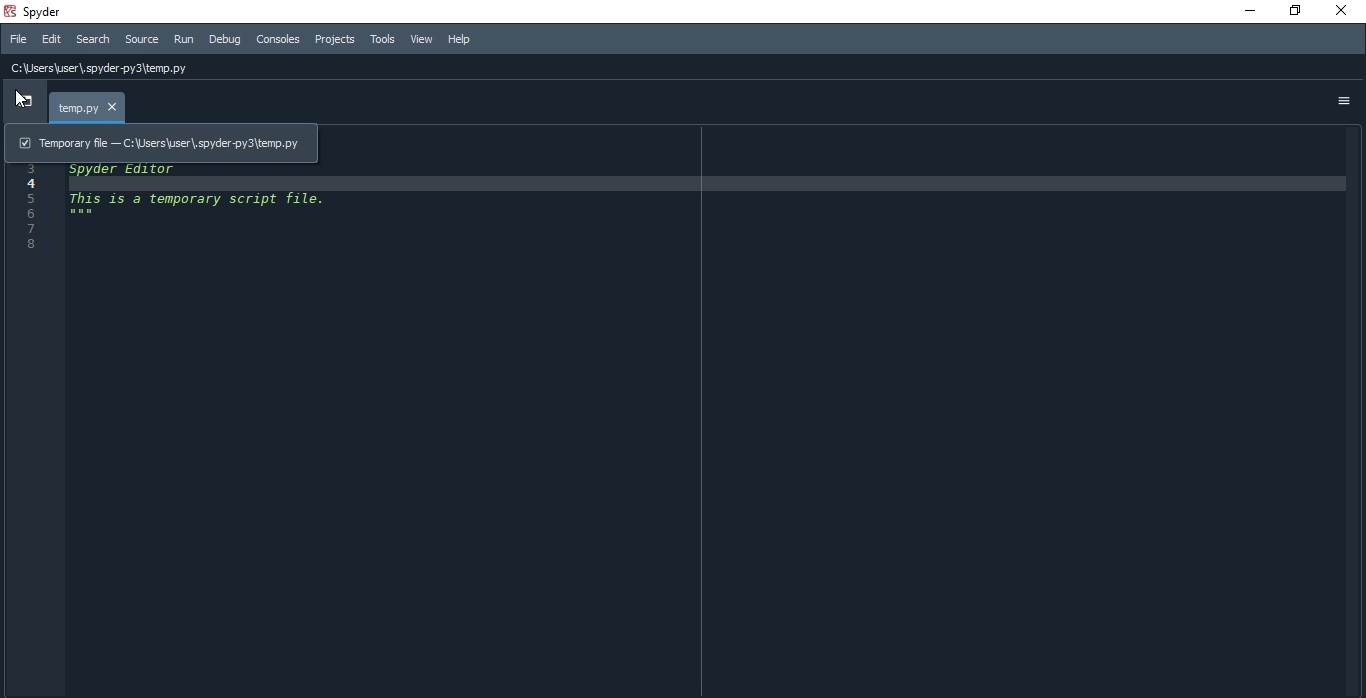  What do you see at coordinates (184, 41) in the screenshot?
I see `Run` at bounding box center [184, 41].